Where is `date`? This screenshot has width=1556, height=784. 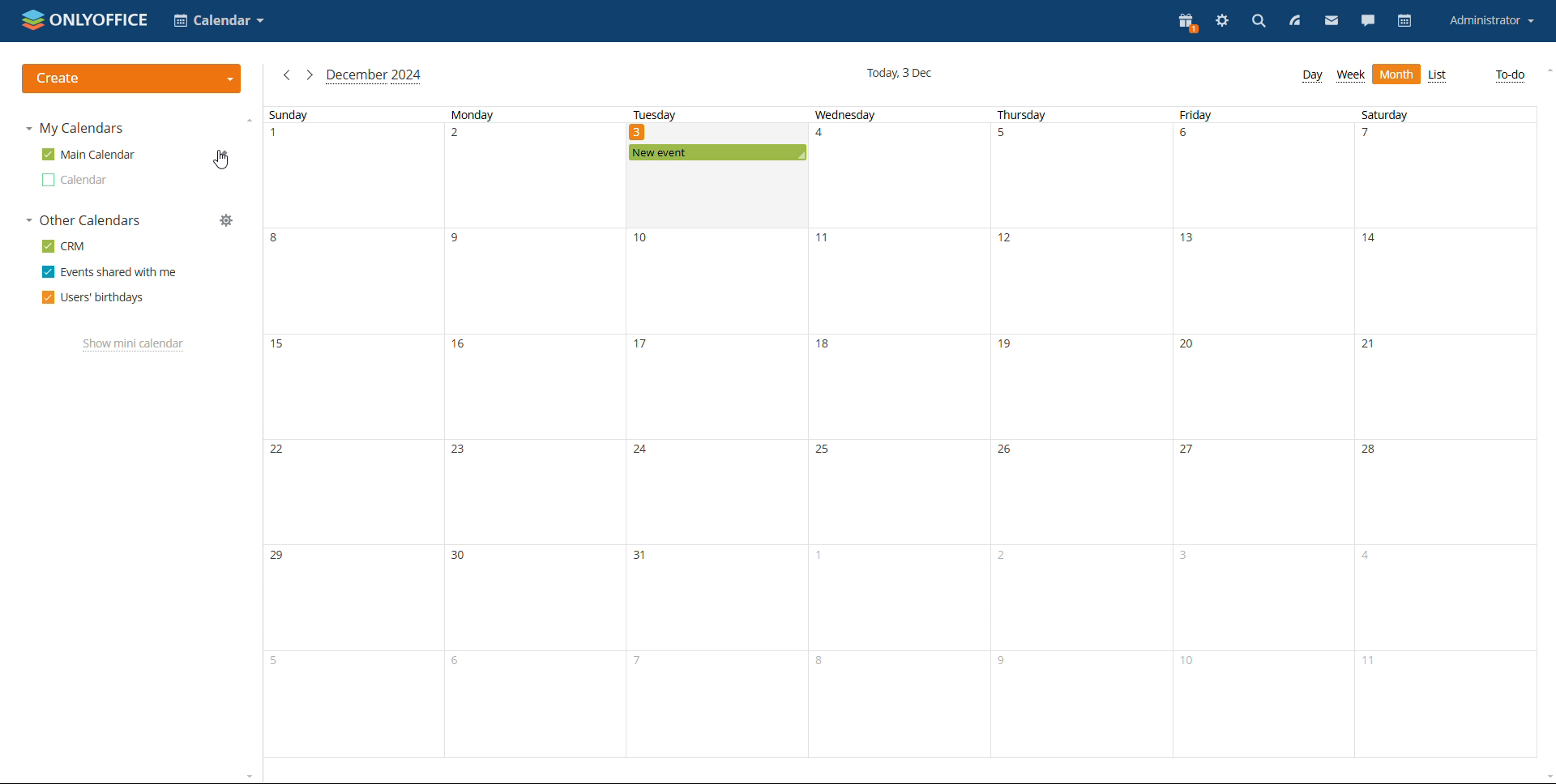 date is located at coordinates (1443, 175).